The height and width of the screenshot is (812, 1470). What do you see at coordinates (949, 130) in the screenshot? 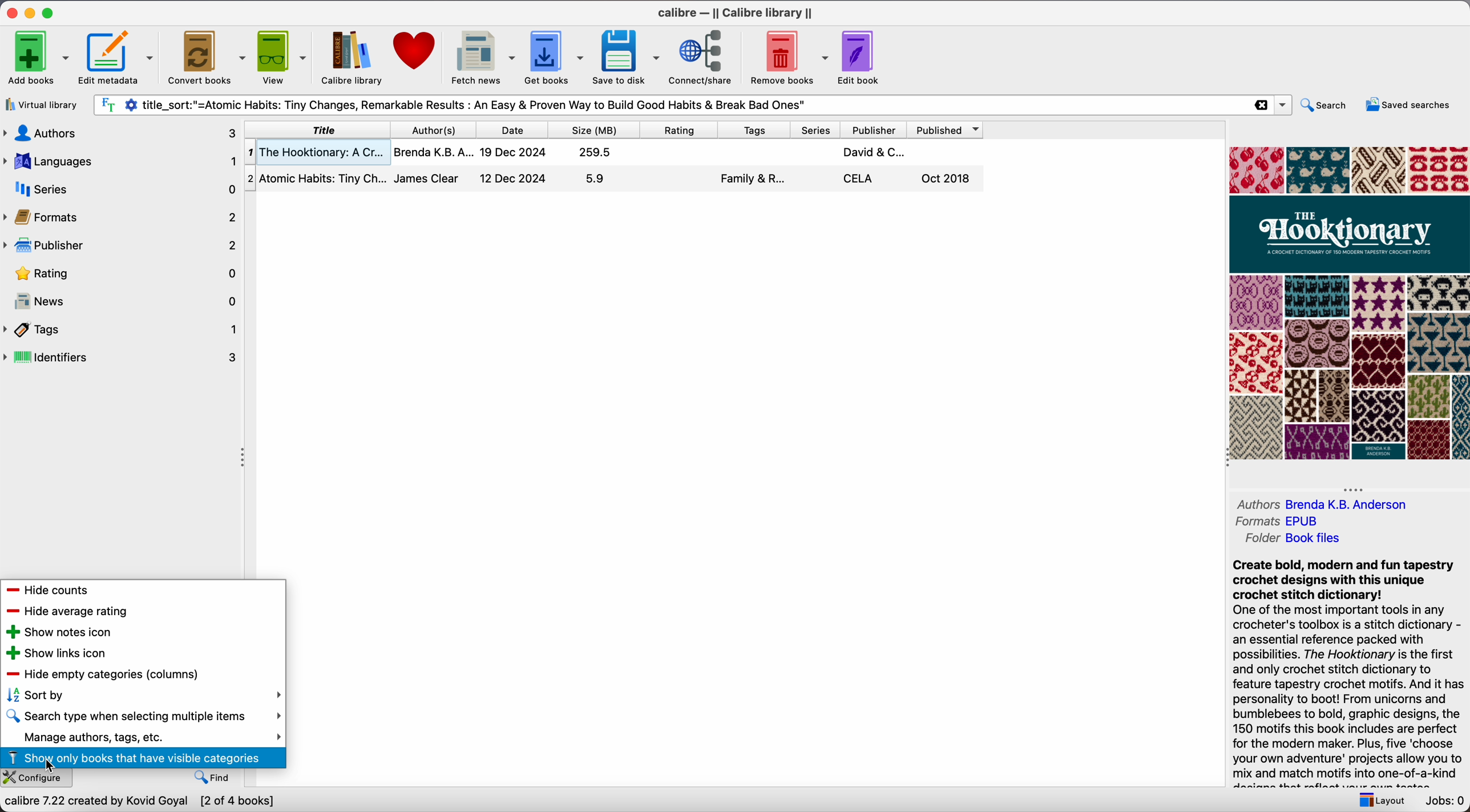
I see `published` at bounding box center [949, 130].